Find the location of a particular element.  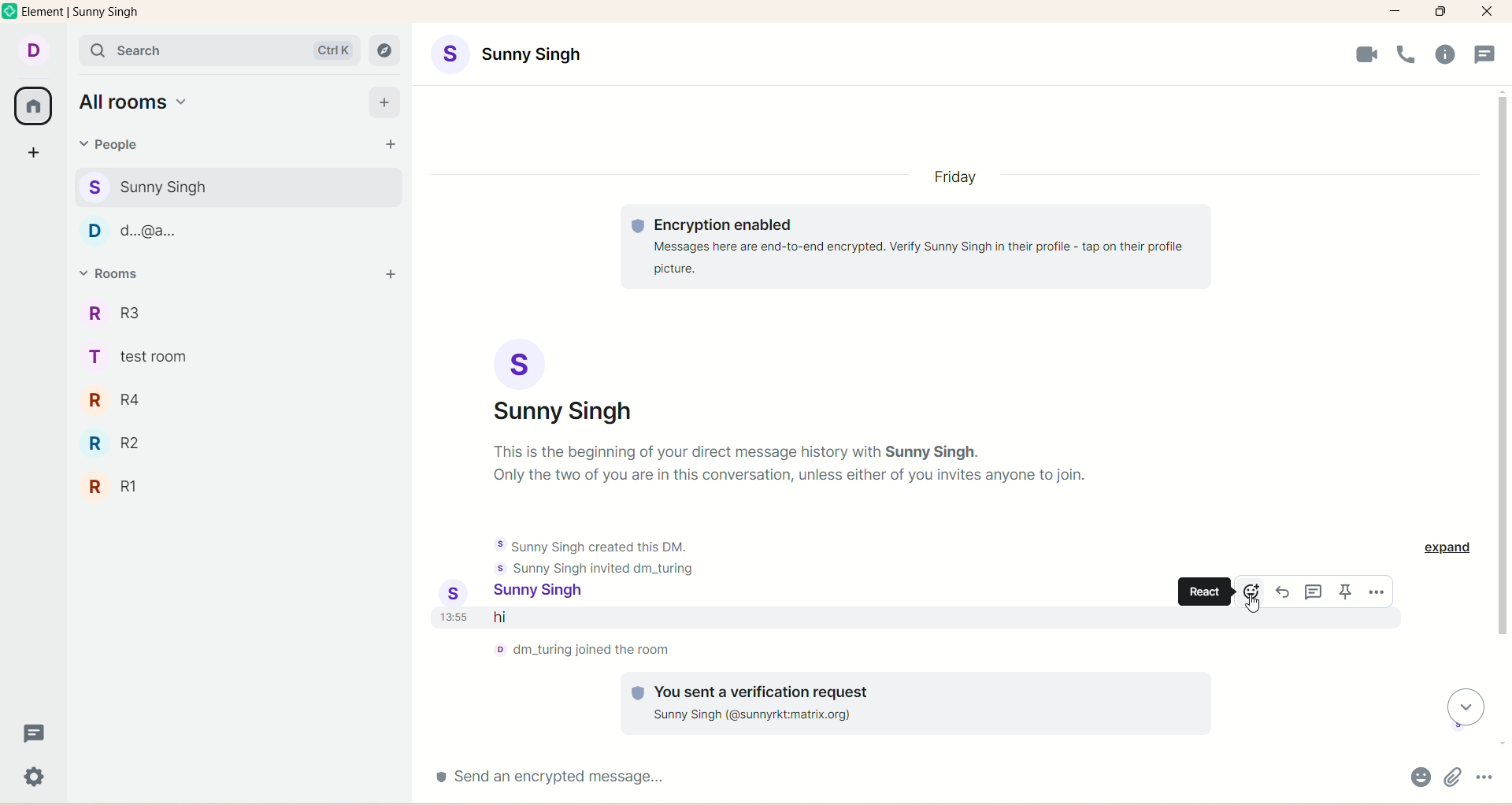

minimize is located at coordinates (1395, 12).